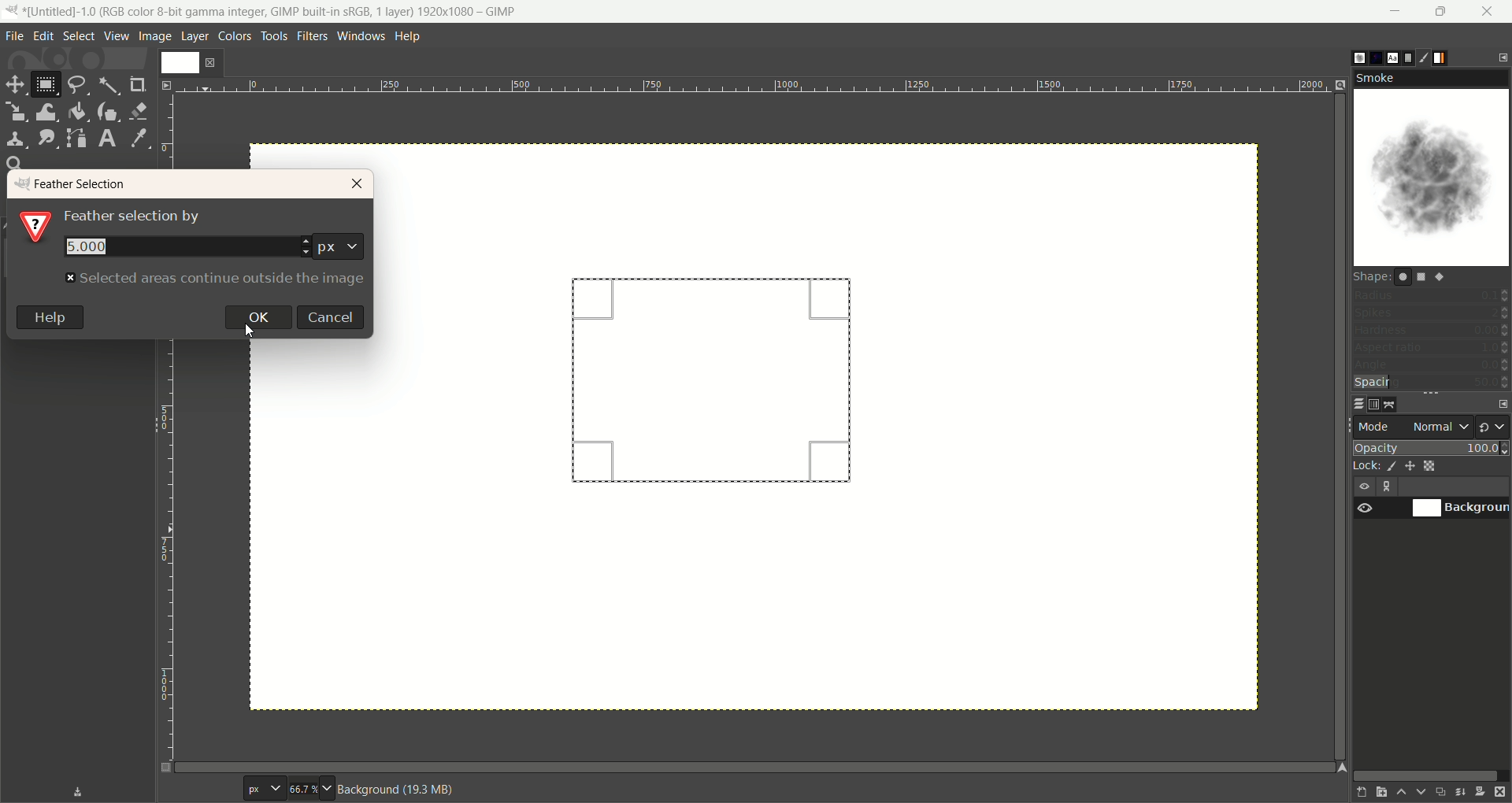  Describe the element at coordinates (1432, 349) in the screenshot. I see `aspect ratio` at that location.